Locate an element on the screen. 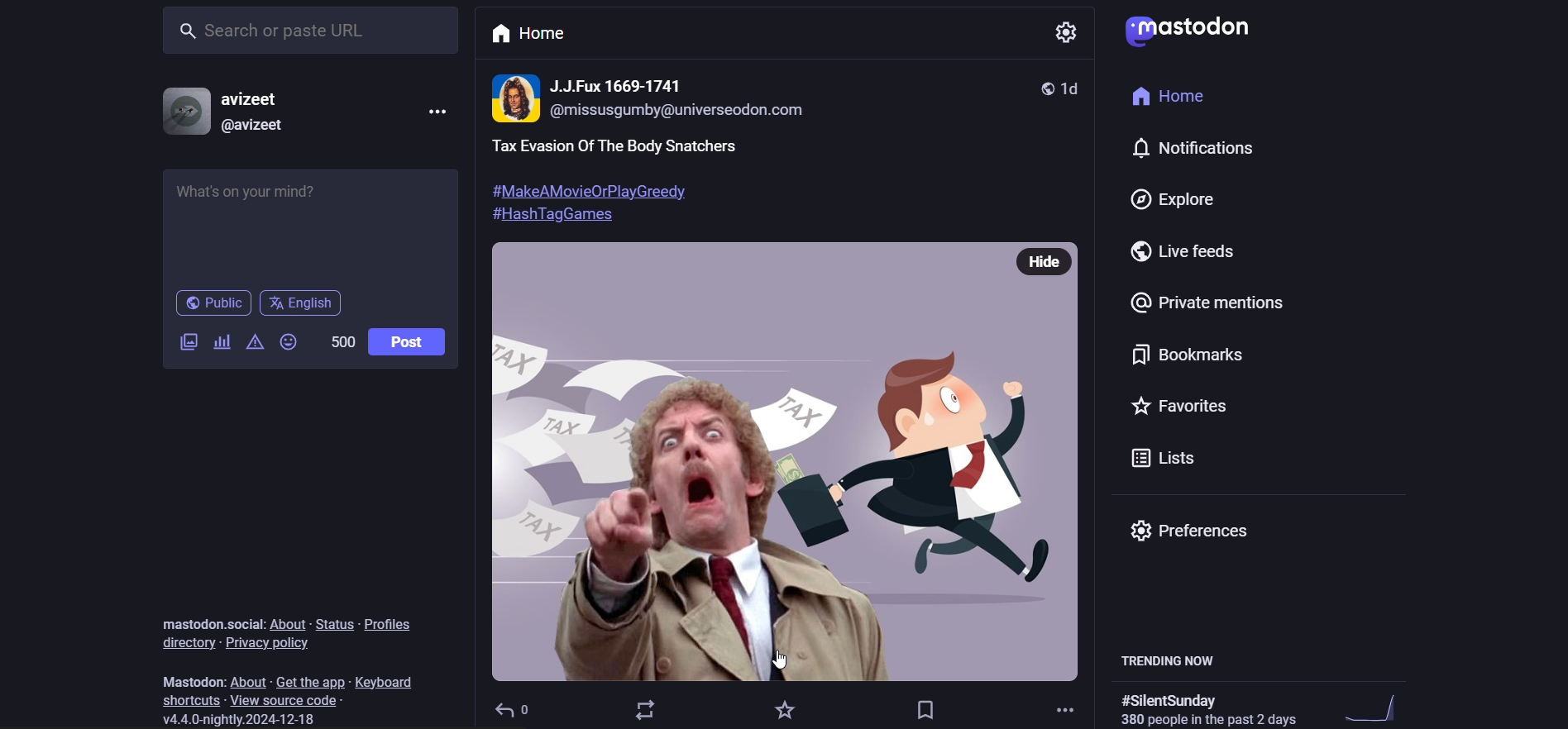 This screenshot has height=729, width=1568. post here is located at coordinates (308, 220).